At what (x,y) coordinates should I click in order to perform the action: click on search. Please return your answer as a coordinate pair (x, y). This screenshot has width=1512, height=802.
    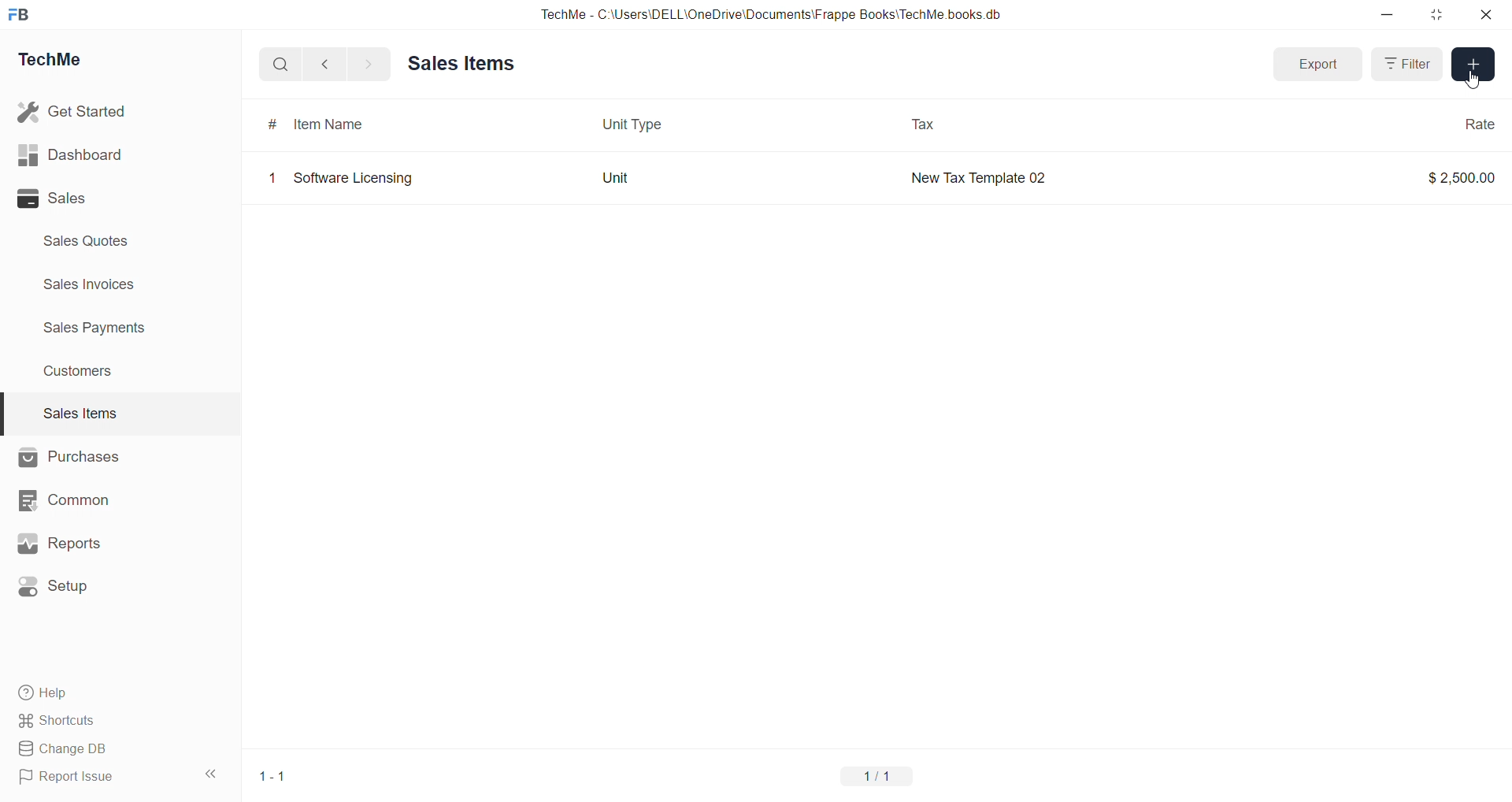
    Looking at the image, I should click on (280, 64).